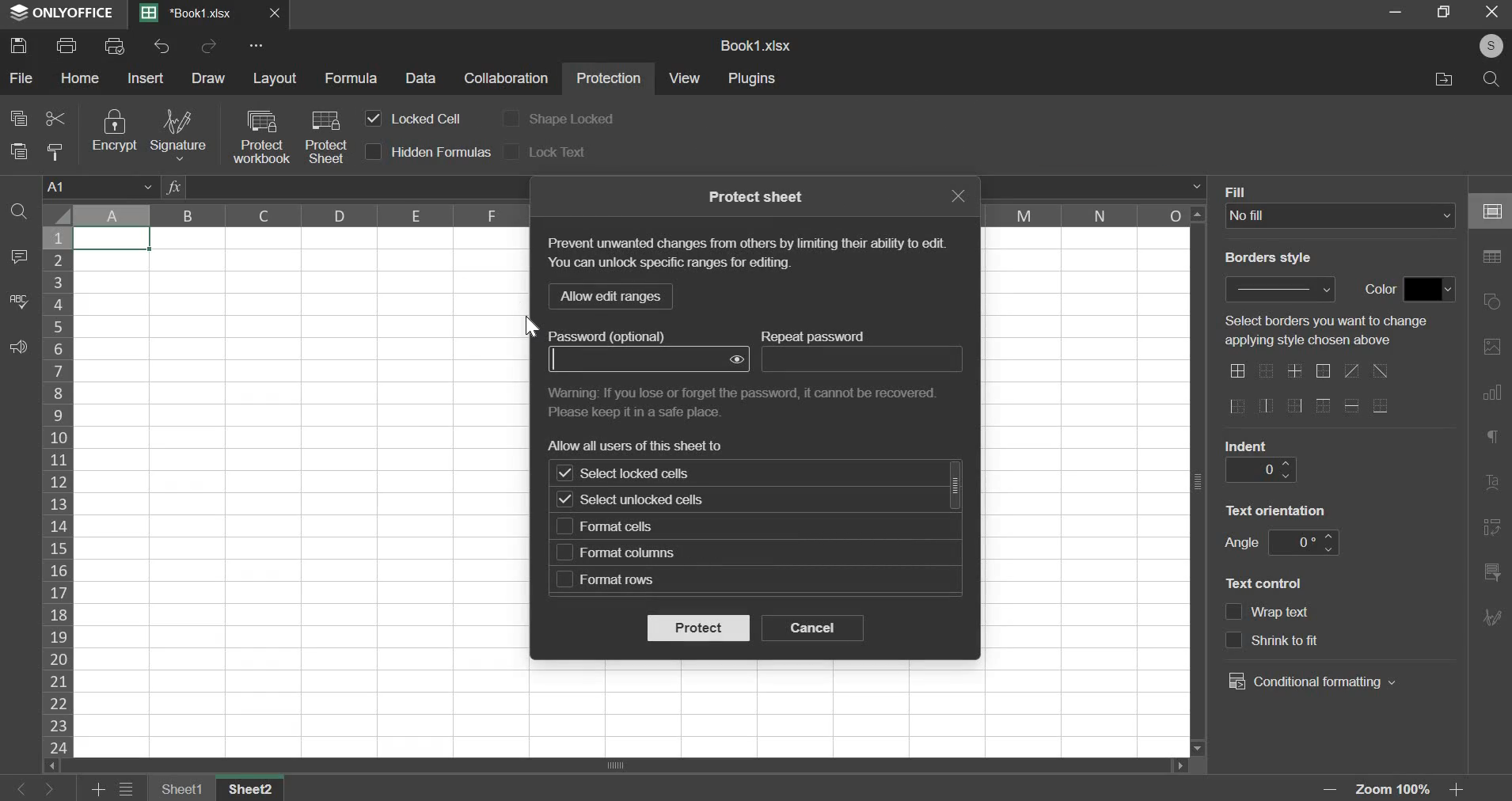 Image resolution: width=1512 pixels, height=801 pixels. I want to click on fx, so click(173, 187).